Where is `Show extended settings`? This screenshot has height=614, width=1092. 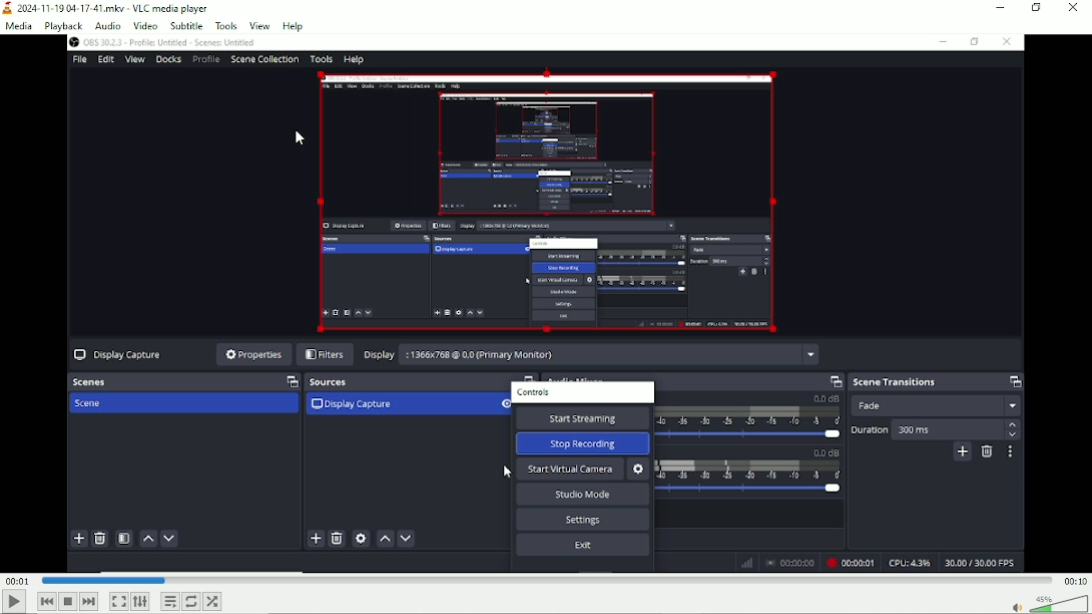 Show extended settings is located at coordinates (140, 602).